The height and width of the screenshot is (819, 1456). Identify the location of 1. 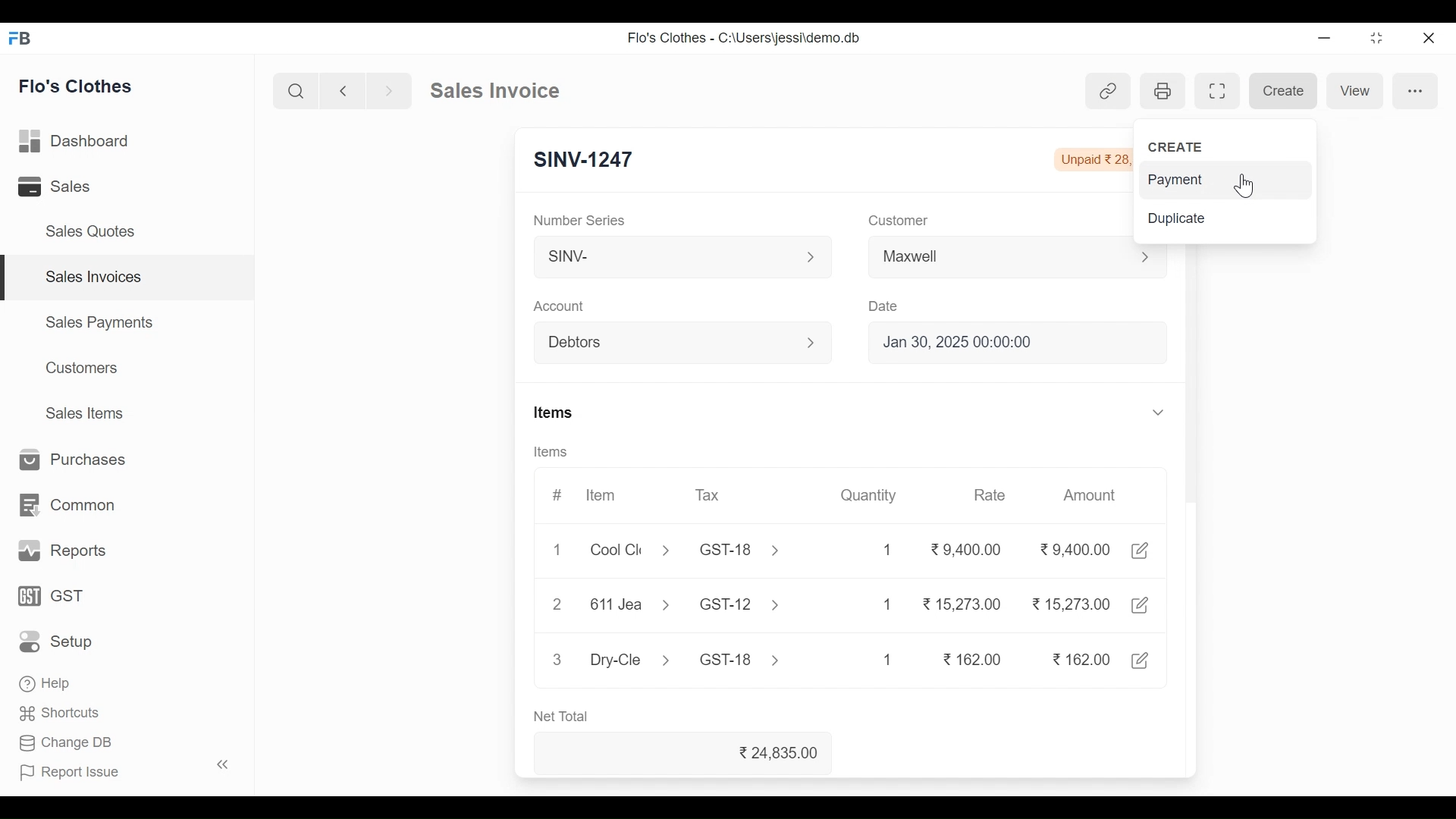
(890, 548).